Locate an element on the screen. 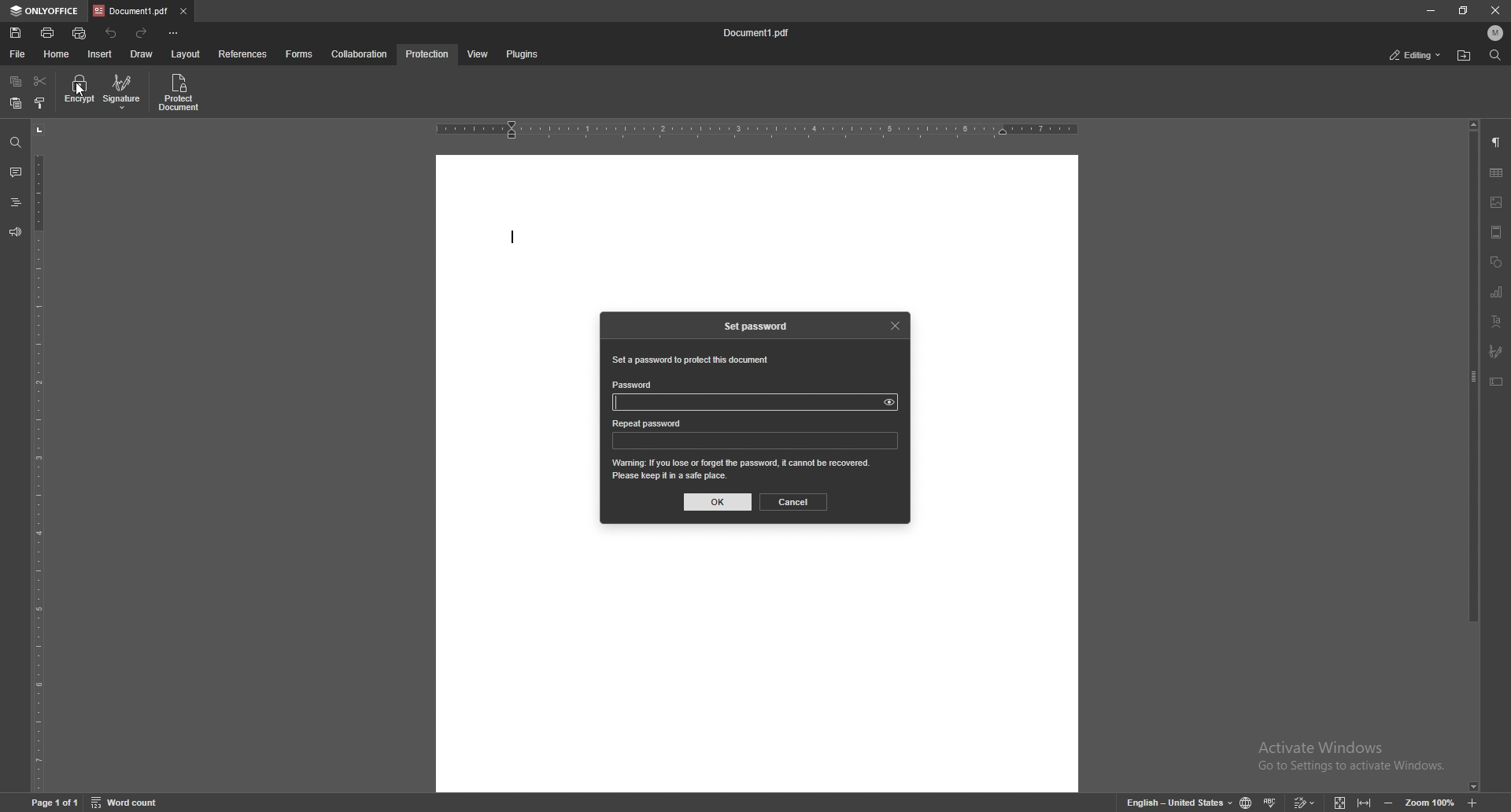  horizontal scale is located at coordinates (756, 129).